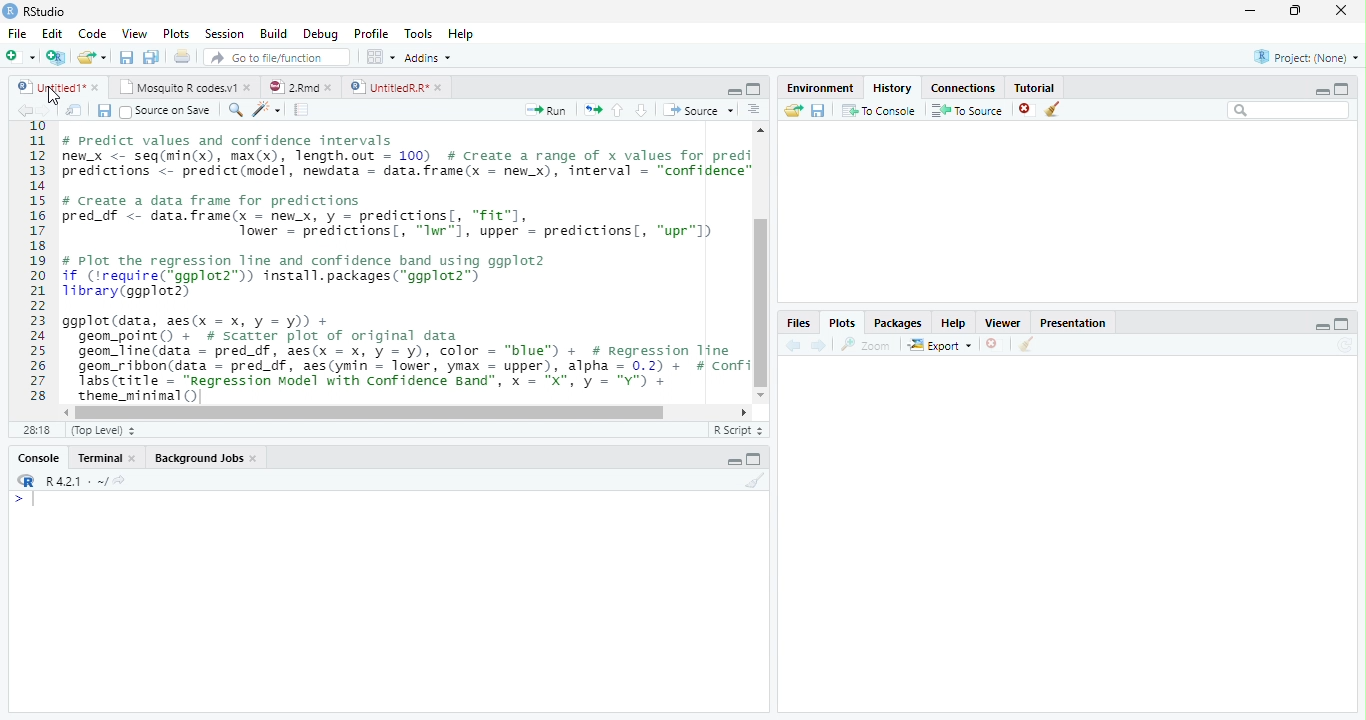  Describe the element at coordinates (74, 111) in the screenshot. I see `Show in new window` at that location.